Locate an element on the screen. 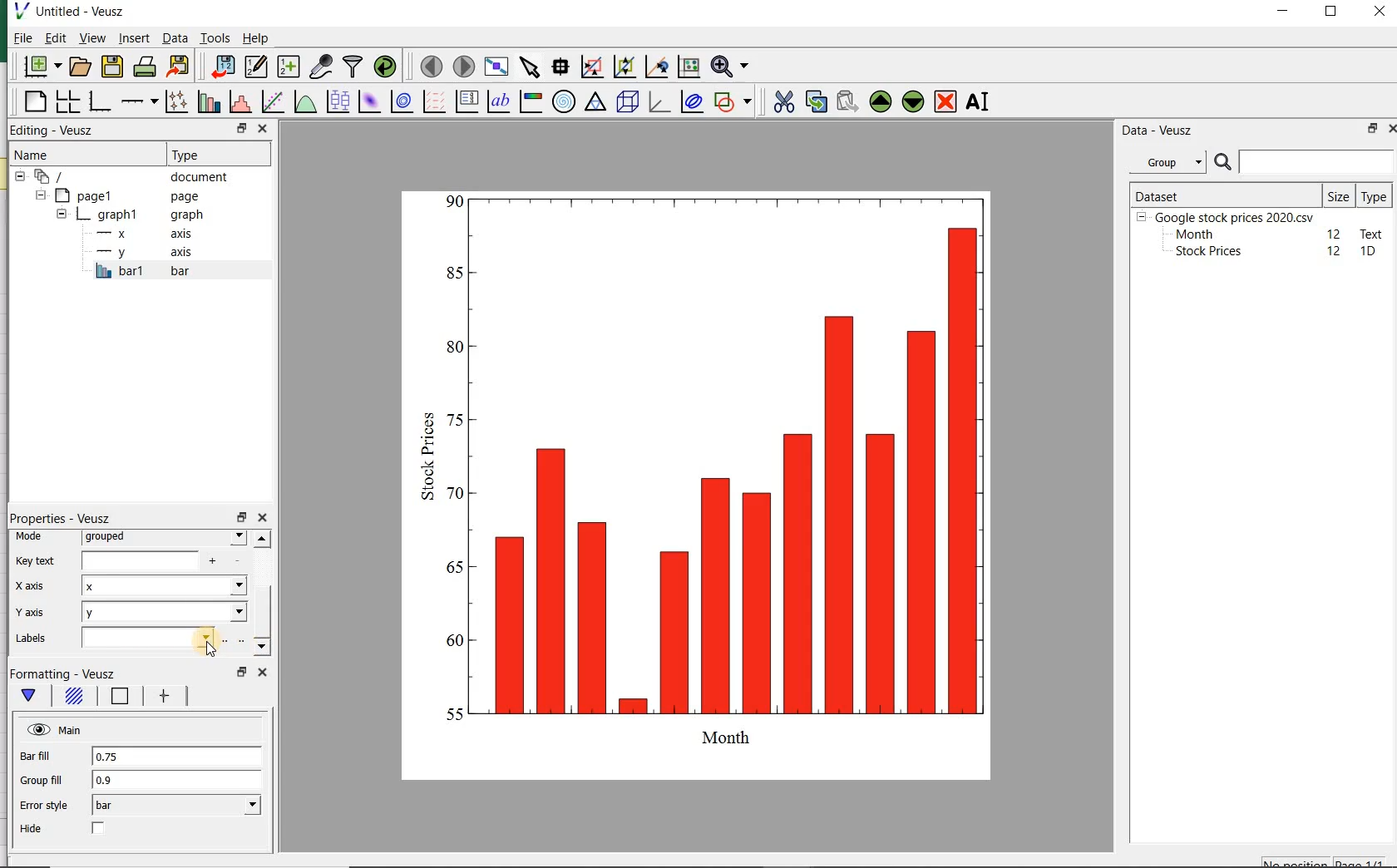  restore is located at coordinates (240, 672).